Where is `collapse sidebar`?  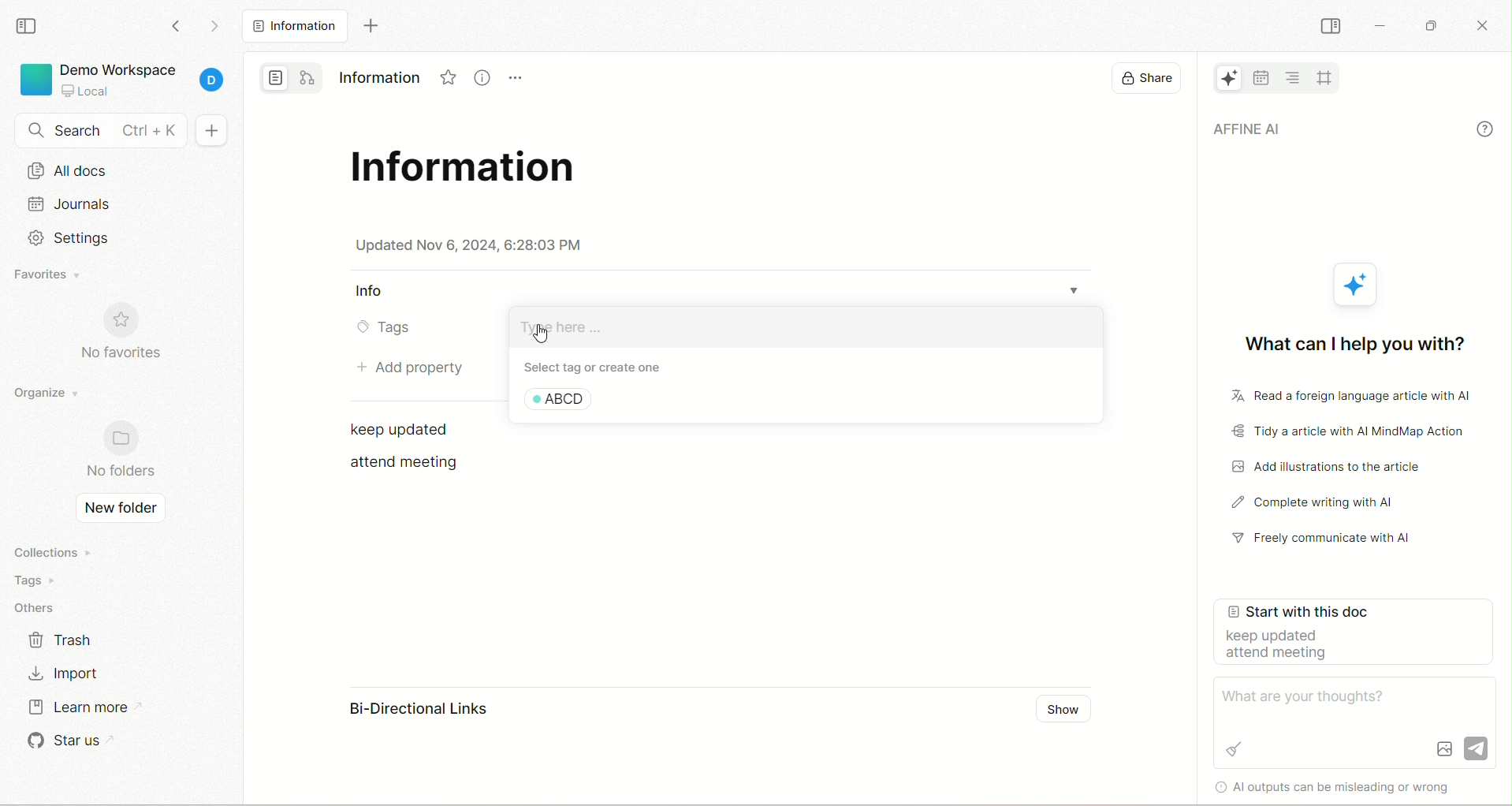
collapse sidebar is located at coordinates (27, 27).